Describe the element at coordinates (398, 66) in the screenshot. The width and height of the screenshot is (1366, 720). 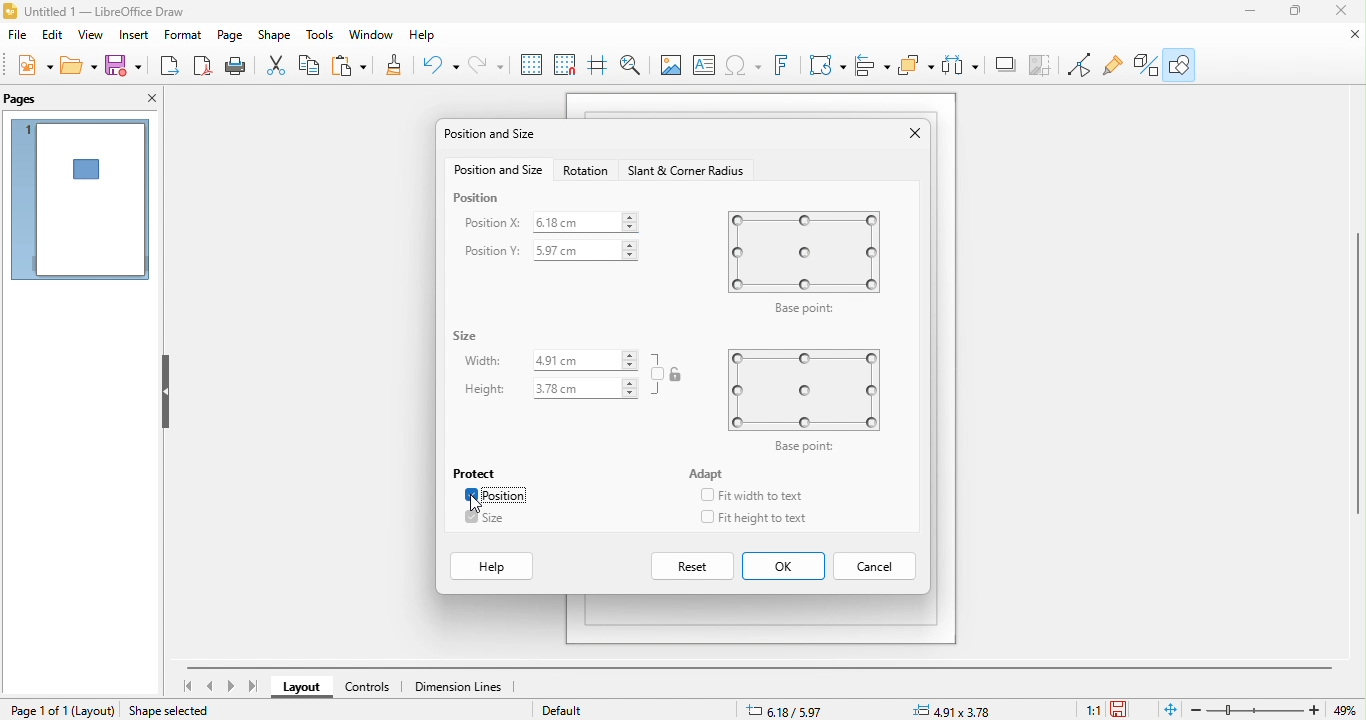
I see `clone formatting` at that location.